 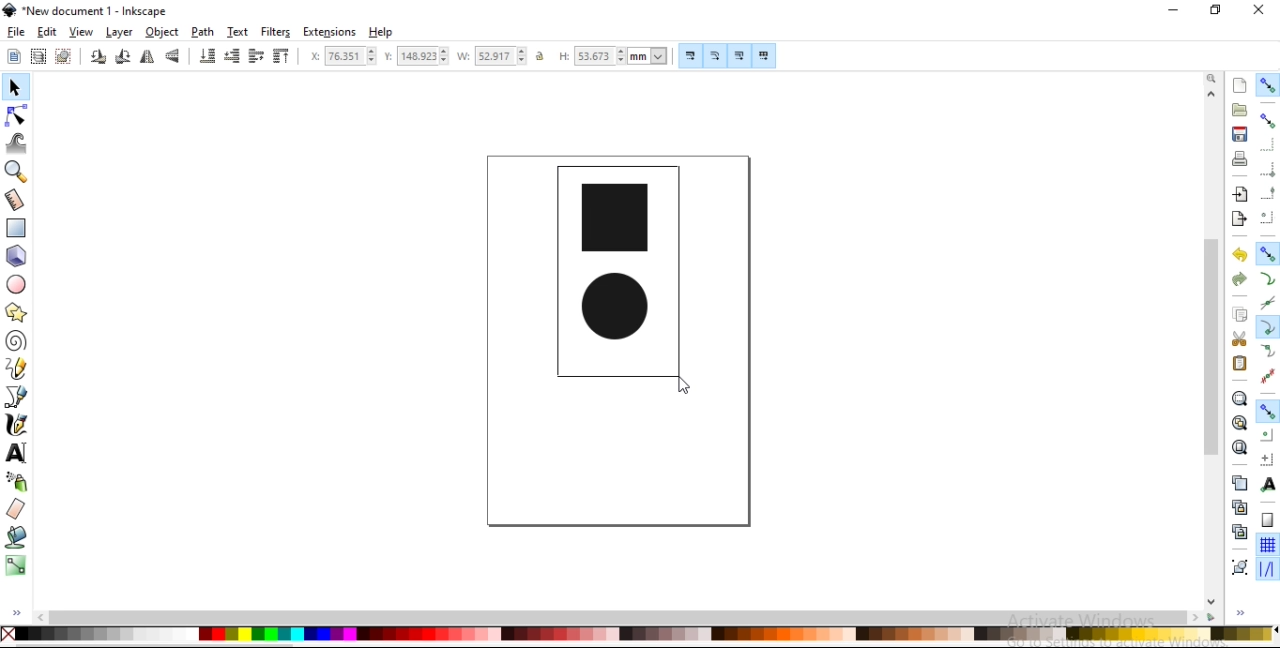 What do you see at coordinates (162, 32) in the screenshot?
I see `object` at bounding box center [162, 32].